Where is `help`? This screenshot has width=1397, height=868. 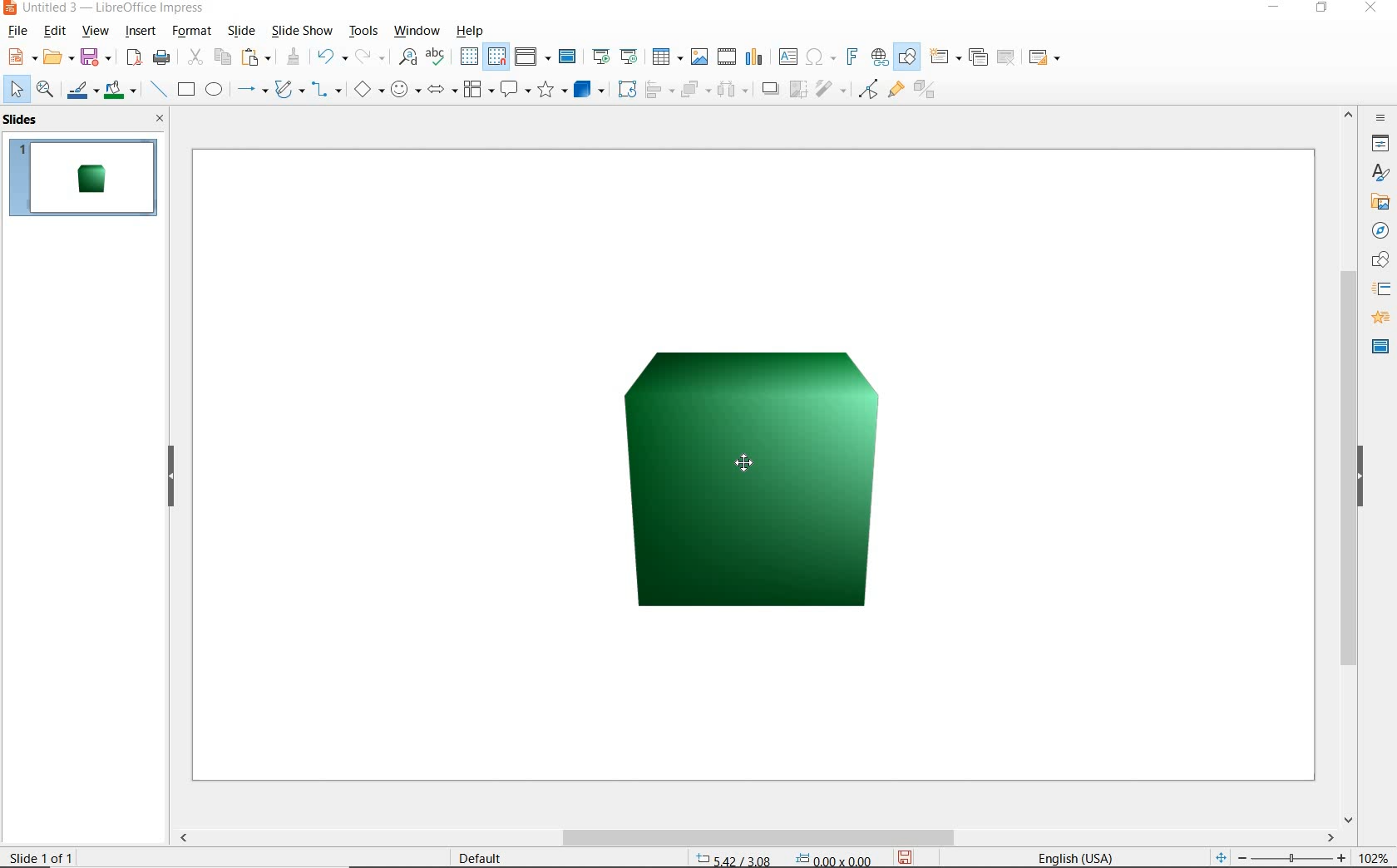
help is located at coordinates (473, 32).